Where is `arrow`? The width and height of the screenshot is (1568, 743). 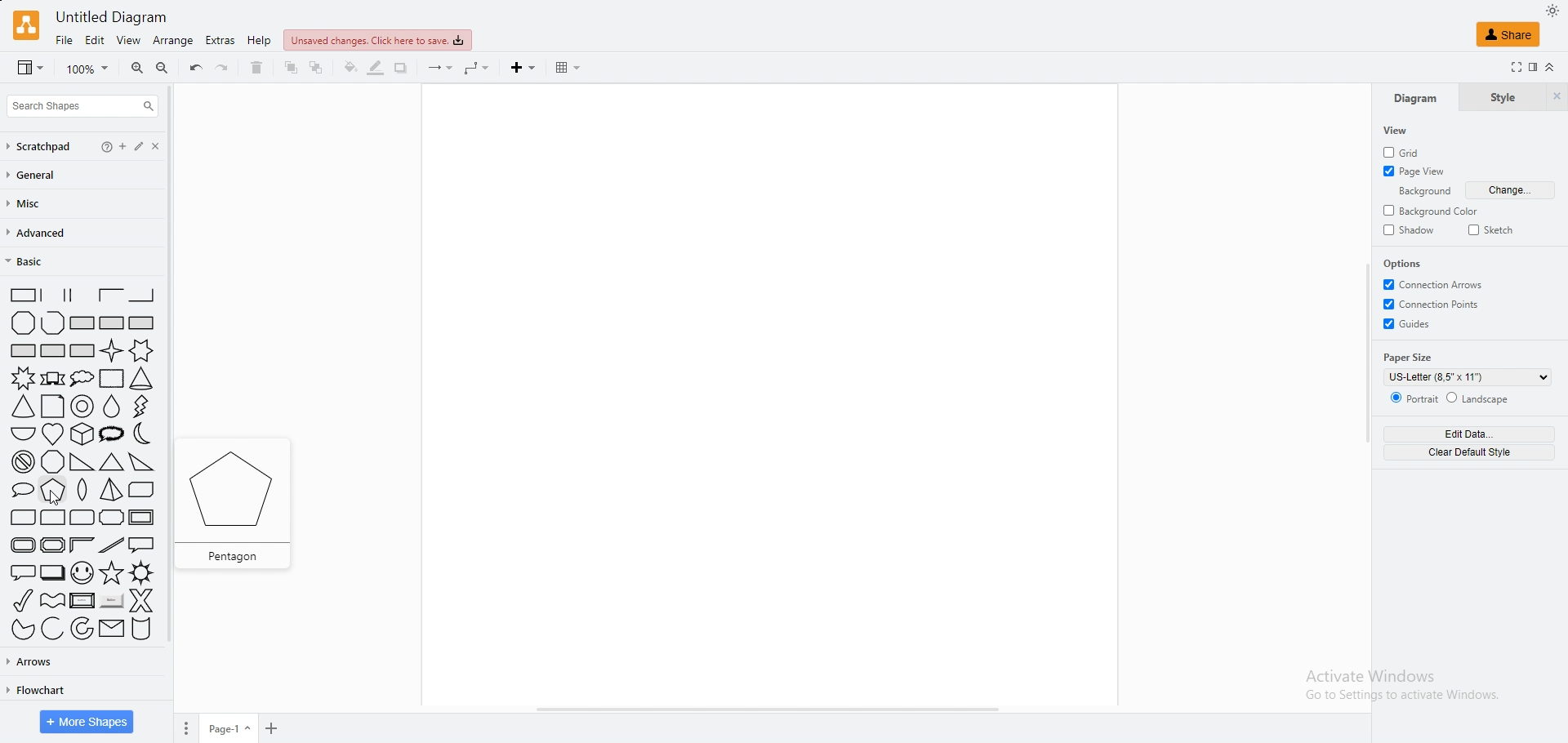
arrow is located at coordinates (440, 69).